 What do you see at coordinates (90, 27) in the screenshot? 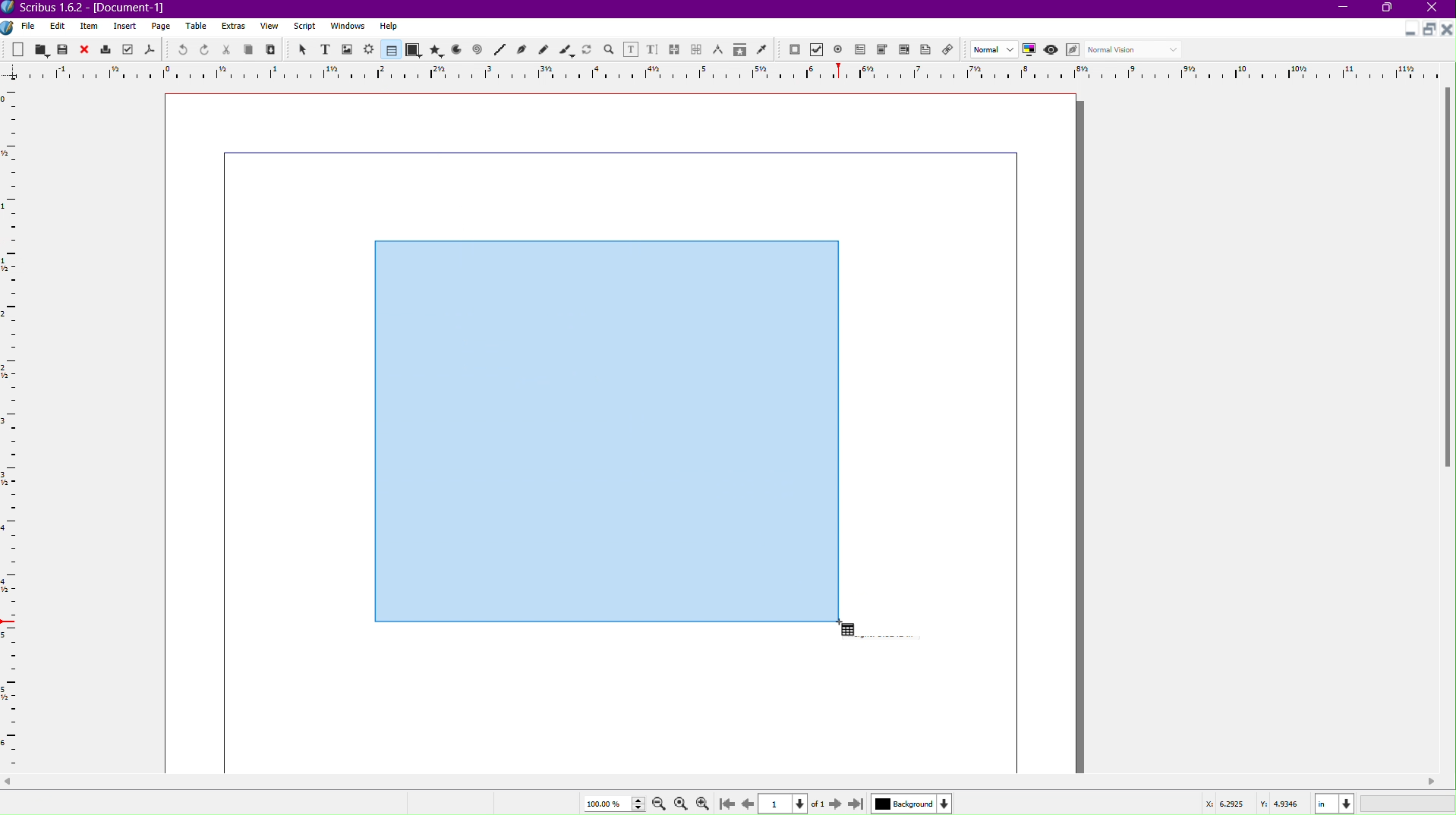
I see `Item` at bounding box center [90, 27].